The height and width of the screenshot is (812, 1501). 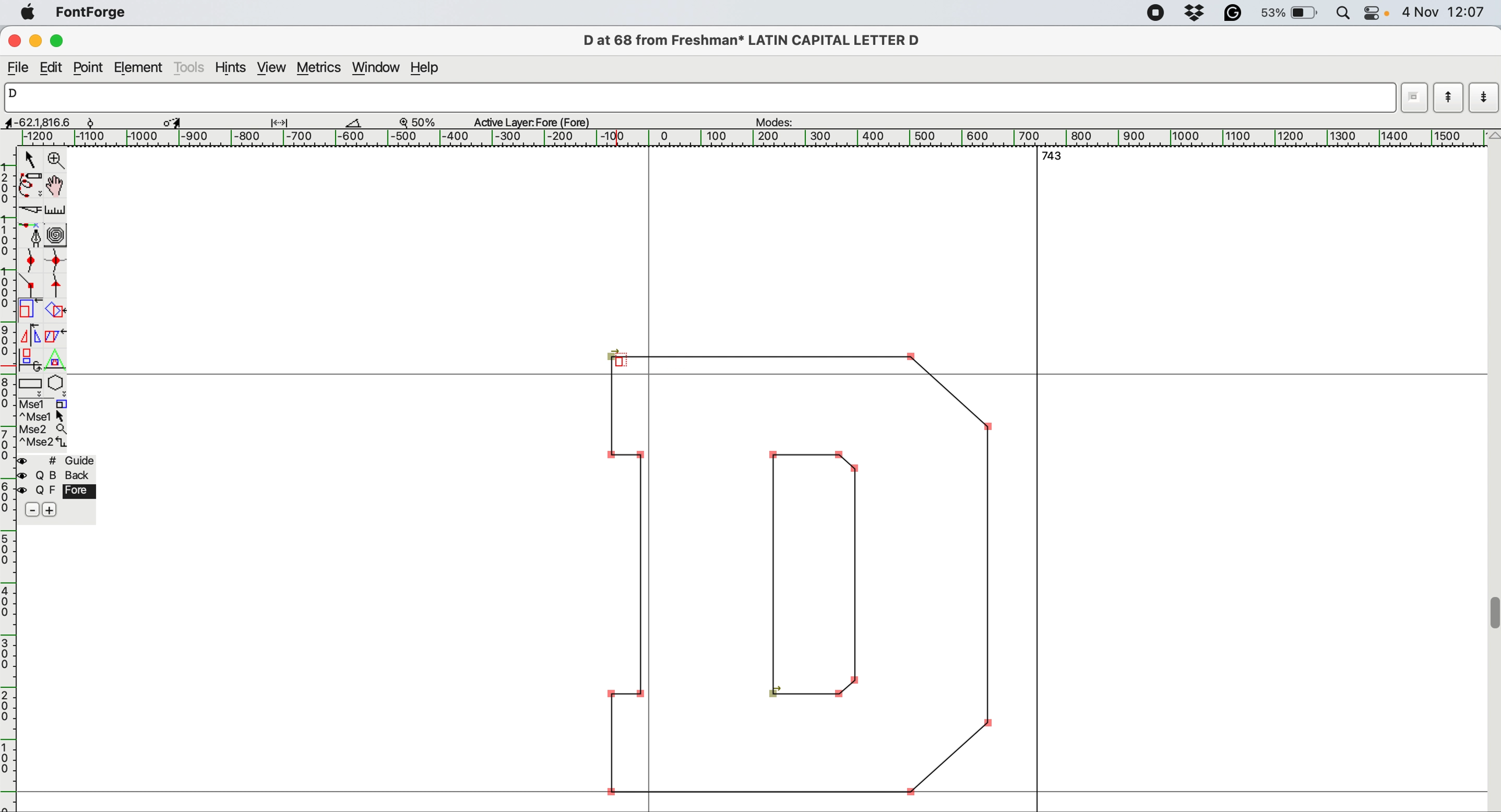 What do you see at coordinates (13, 40) in the screenshot?
I see `close` at bounding box center [13, 40].